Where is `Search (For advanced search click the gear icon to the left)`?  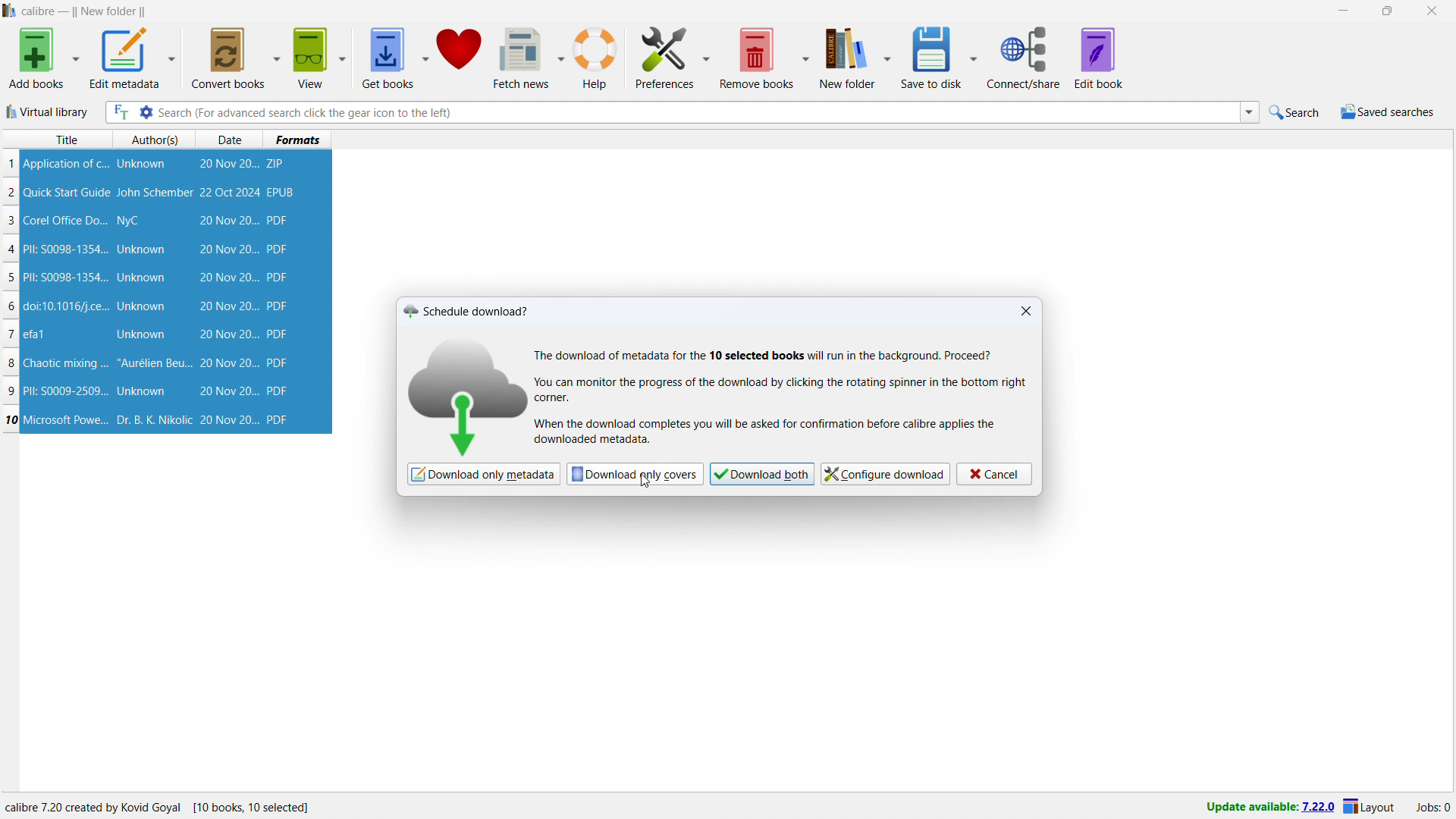 Search (For advanced search click the gear icon to the left) is located at coordinates (696, 111).